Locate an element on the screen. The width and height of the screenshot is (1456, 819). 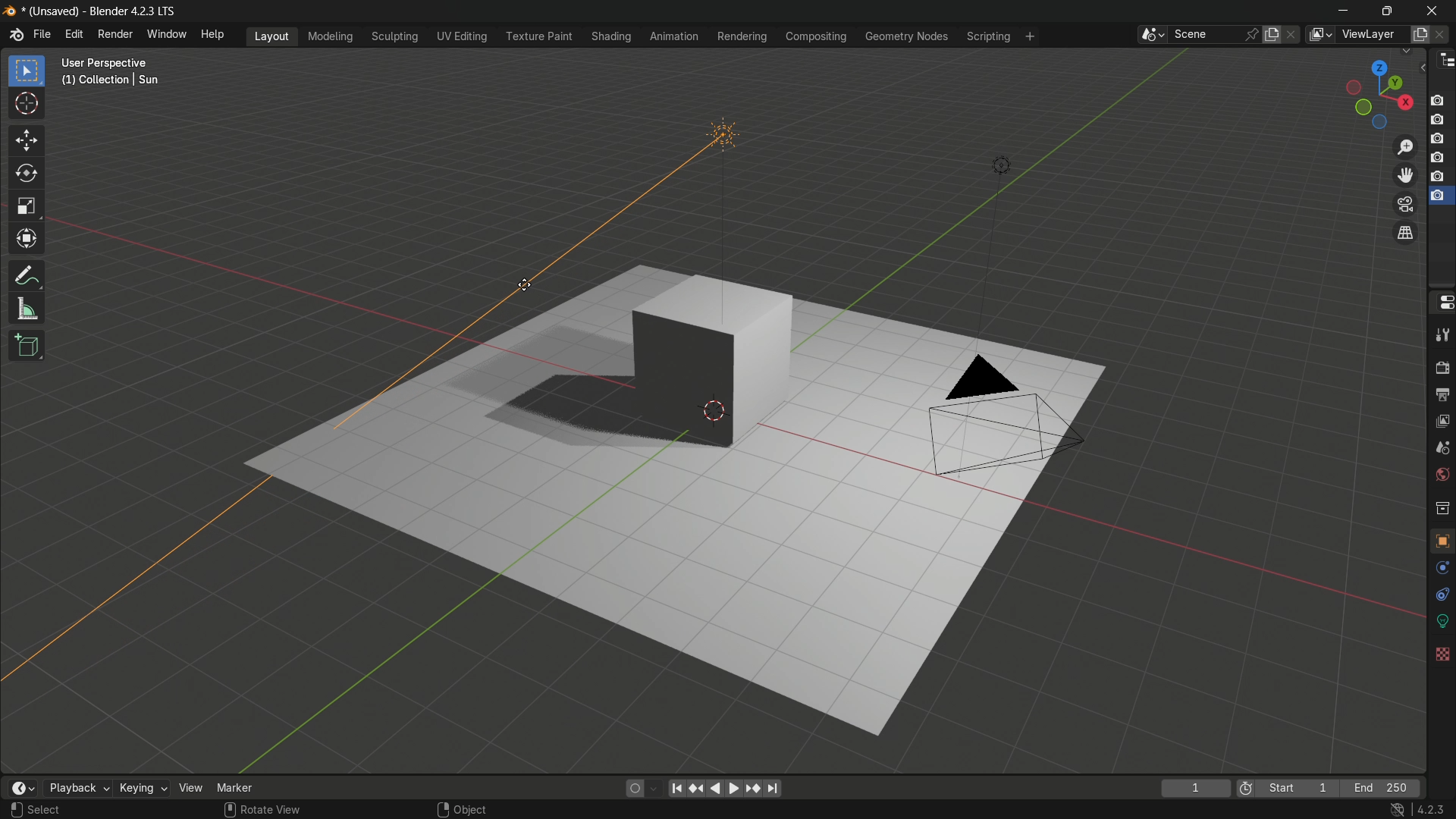
output is located at coordinates (1442, 395).